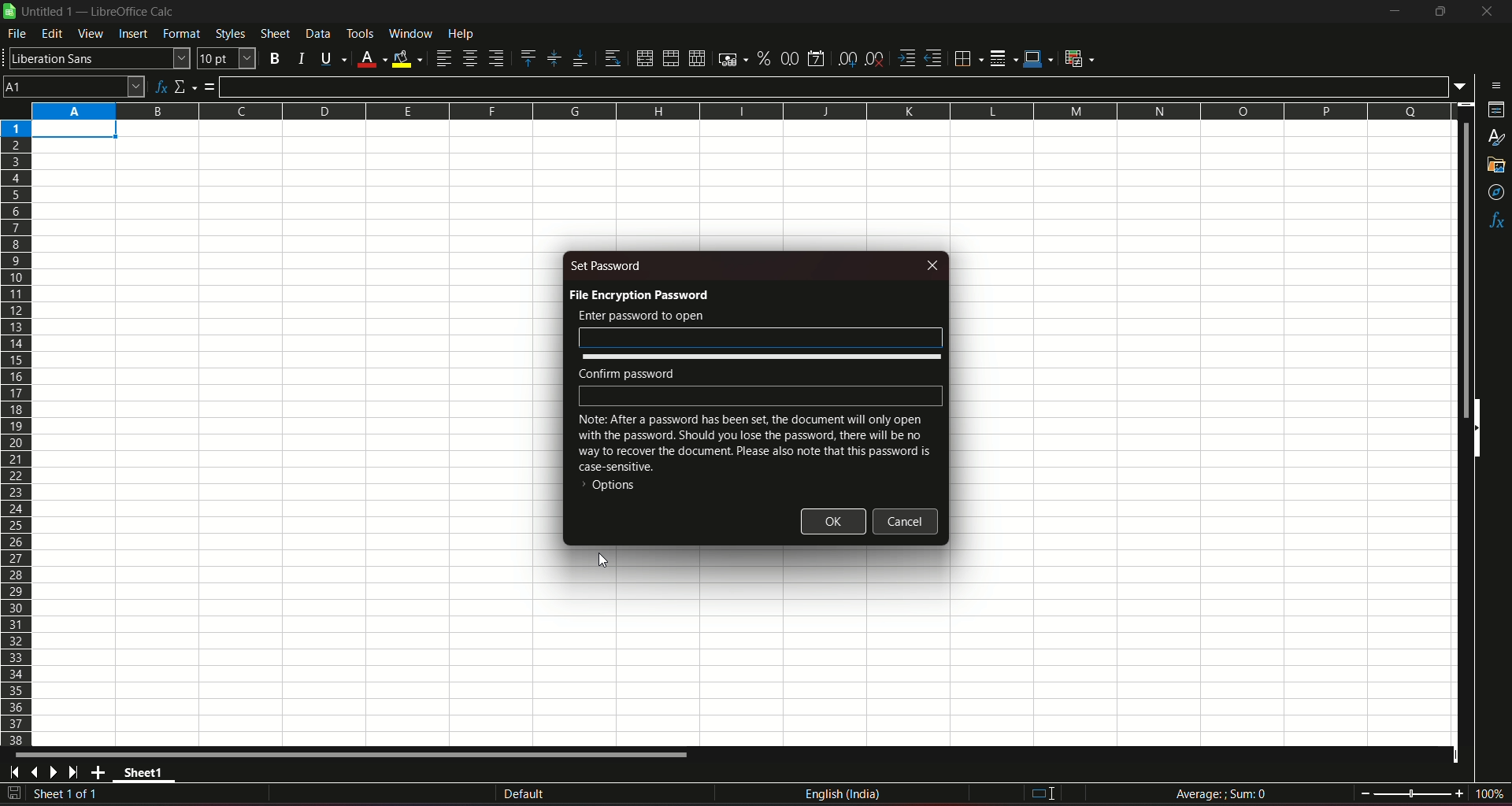 The height and width of the screenshot is (806, 1512). What do you see at coordinates (1497, 168) in the screenshot?
I see `gallery` at bounding box center [1497, 168].